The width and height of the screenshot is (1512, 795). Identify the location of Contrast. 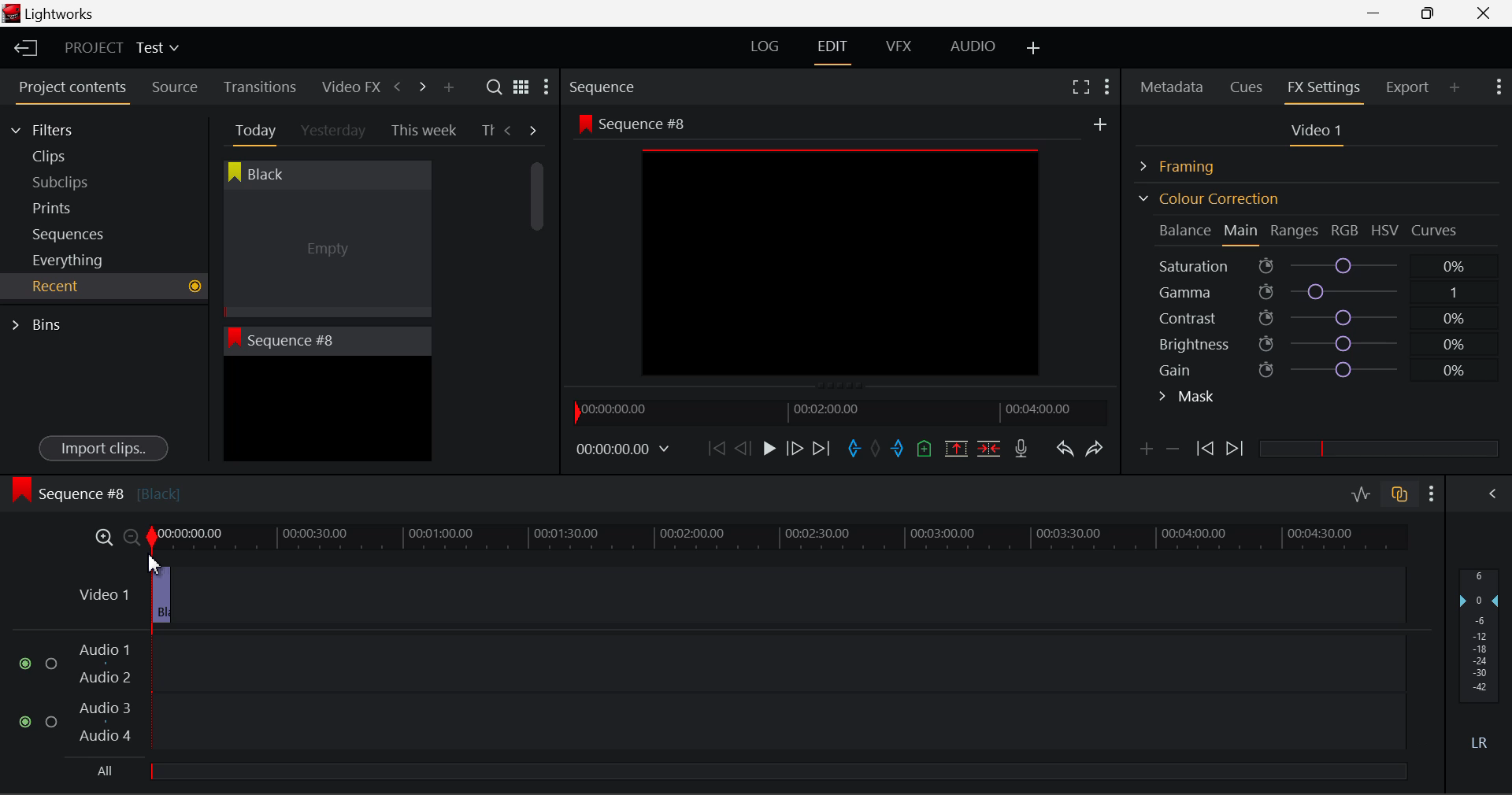
(1318, 317).